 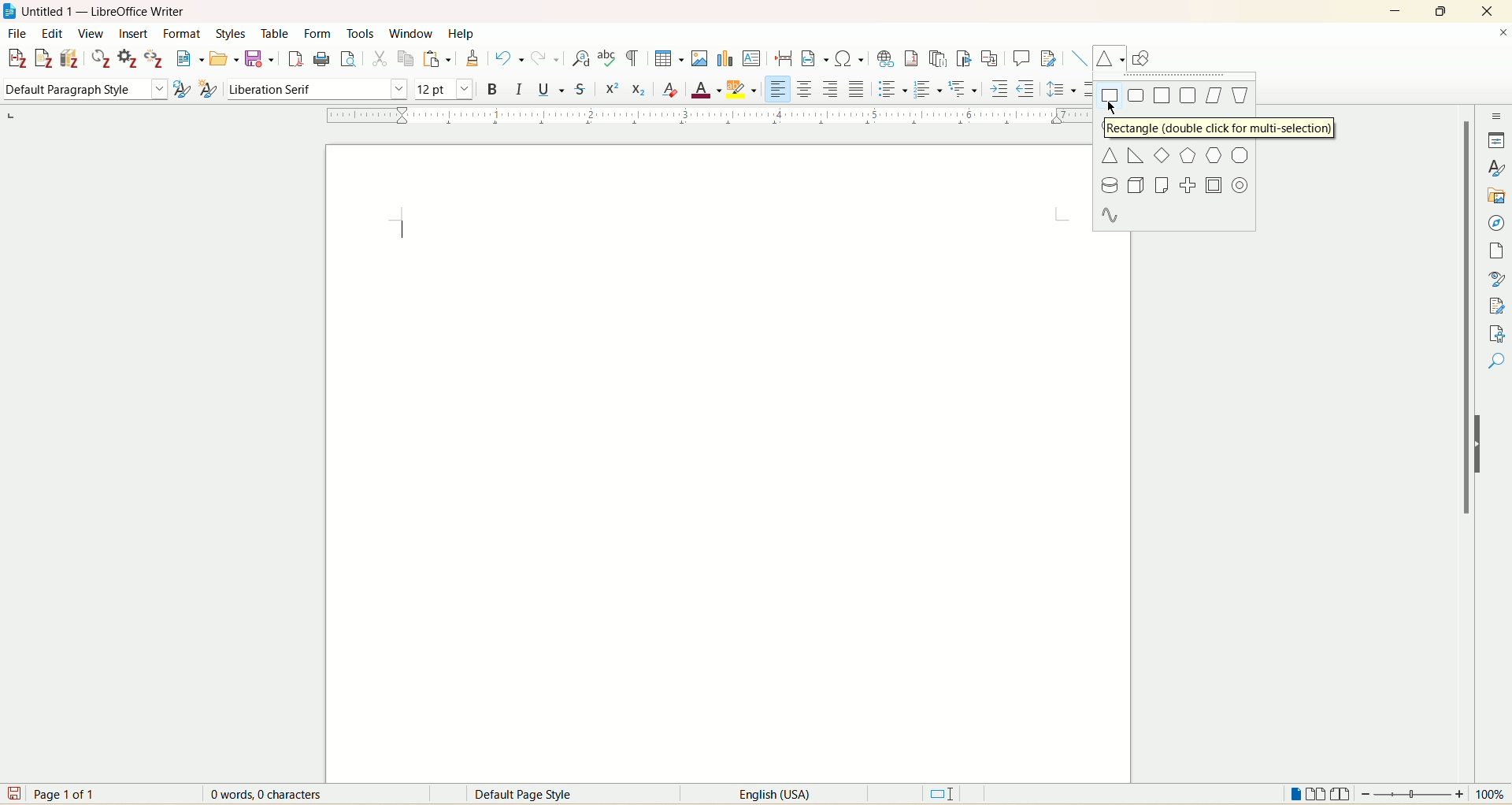 I want to click on styles, so click(x=235, y=34).